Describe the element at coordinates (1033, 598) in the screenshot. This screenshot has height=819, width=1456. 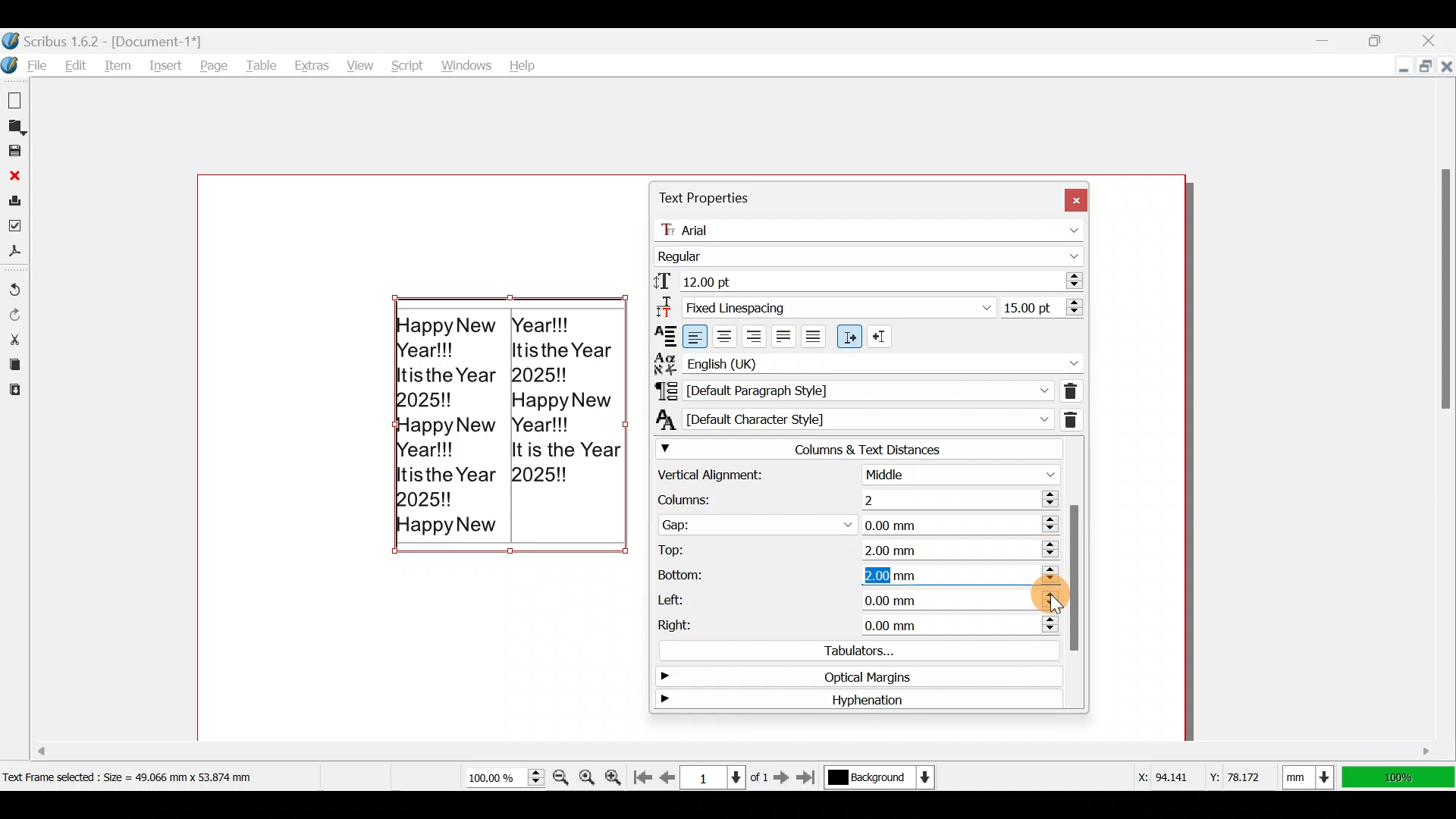
I see `Cursor on left (increase button)` at that location.